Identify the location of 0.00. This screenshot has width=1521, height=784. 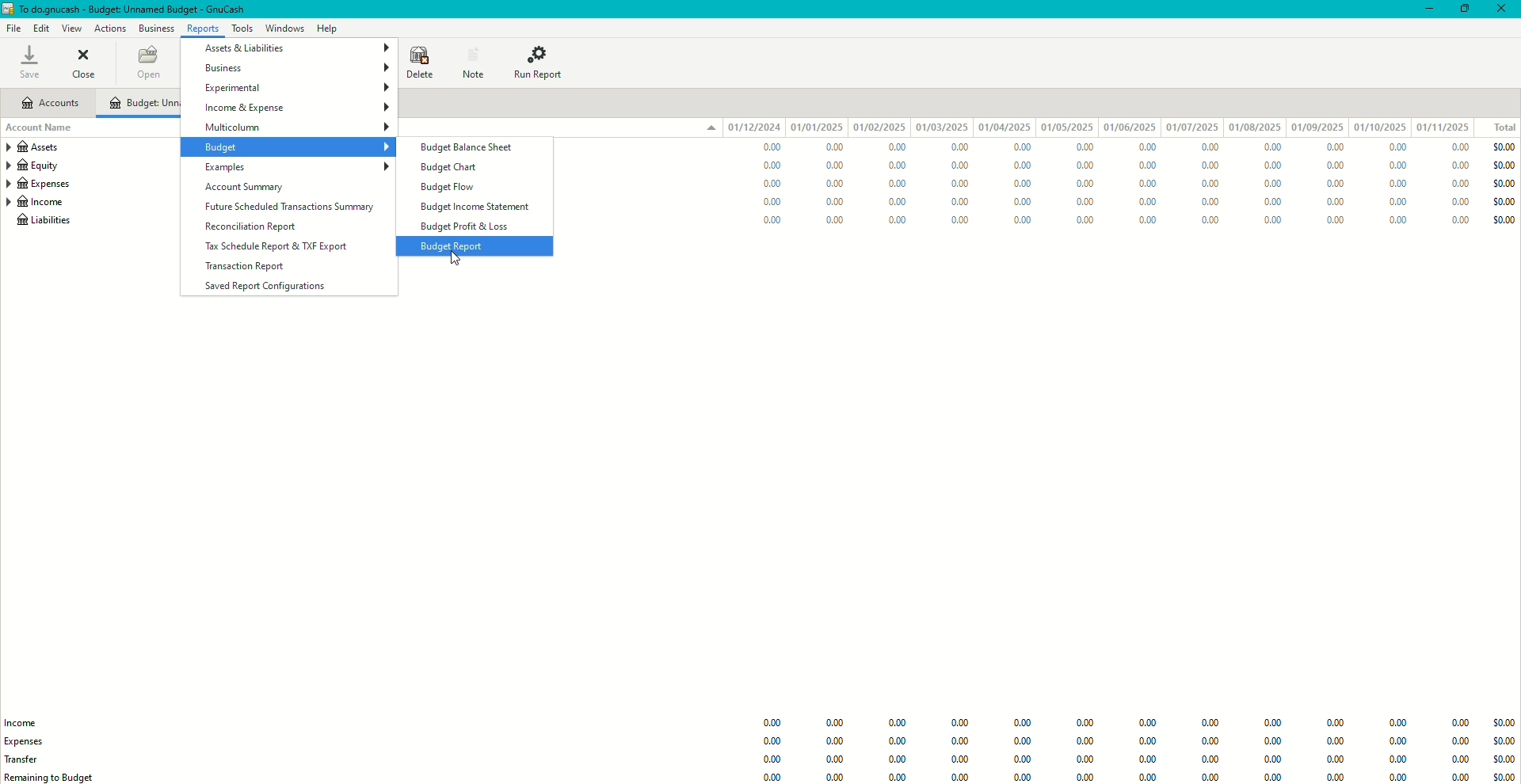
(1340, 201).